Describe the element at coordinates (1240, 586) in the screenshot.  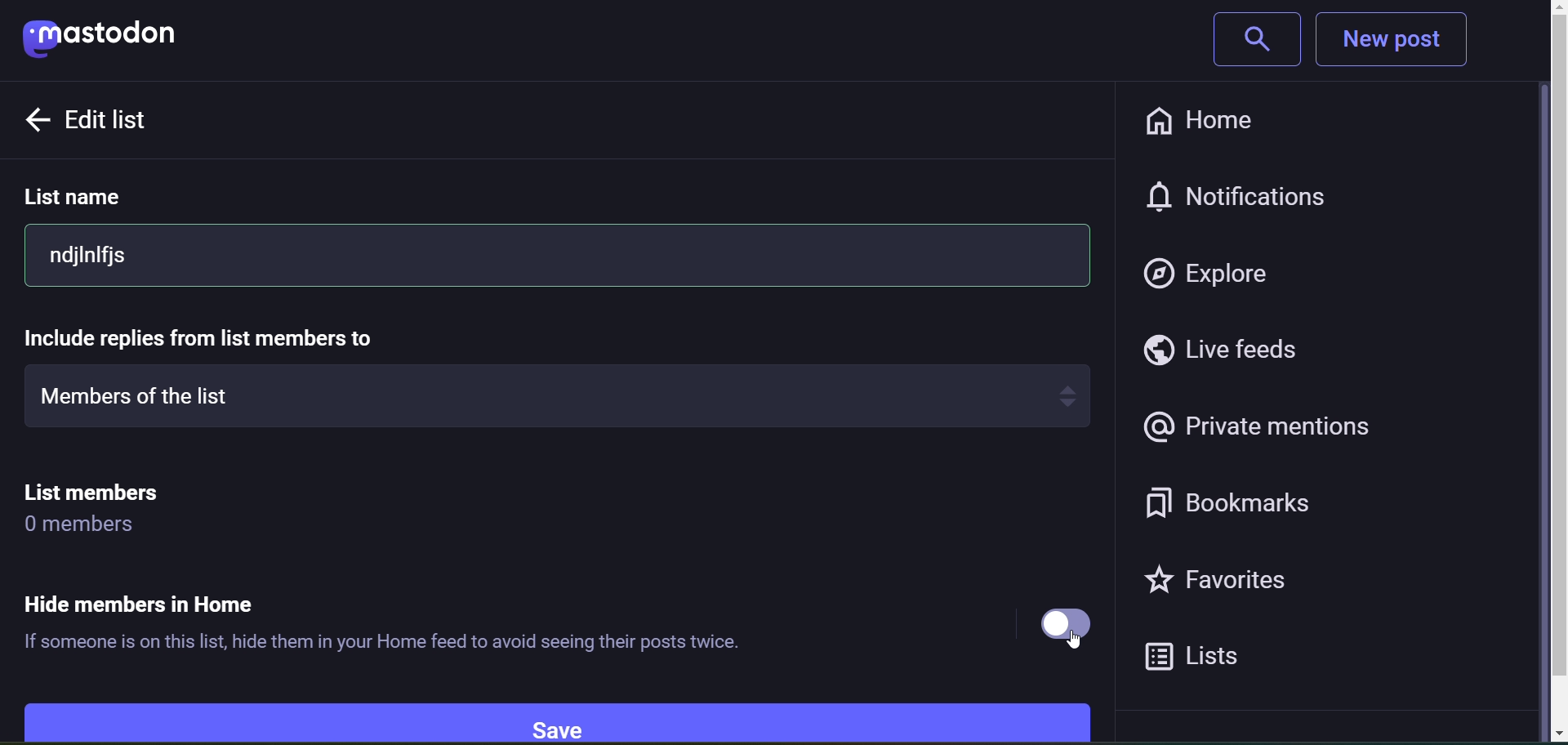
I see `favorites` at that location.